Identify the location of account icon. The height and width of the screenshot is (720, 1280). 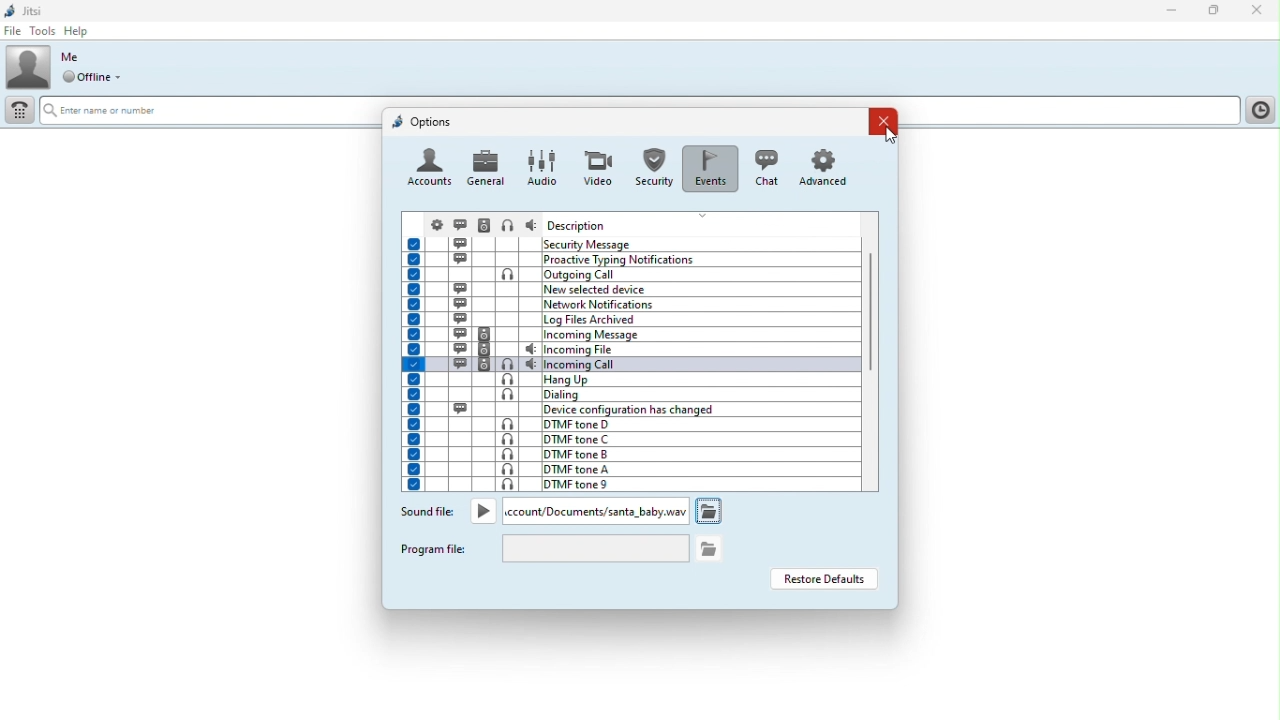
(429, 167).